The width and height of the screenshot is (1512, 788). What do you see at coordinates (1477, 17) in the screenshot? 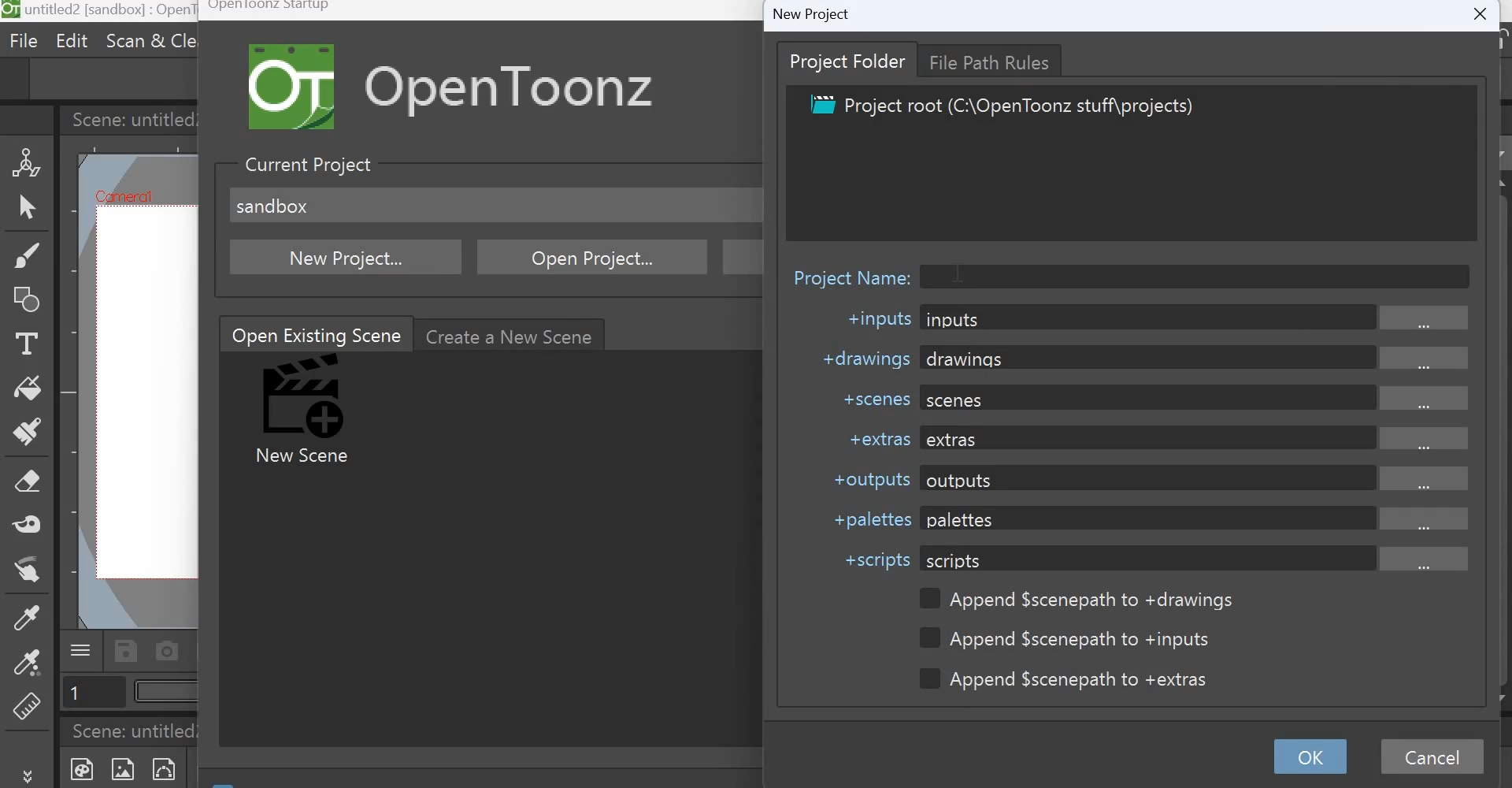
I see `Close window` at bounding box center [1477, 17].